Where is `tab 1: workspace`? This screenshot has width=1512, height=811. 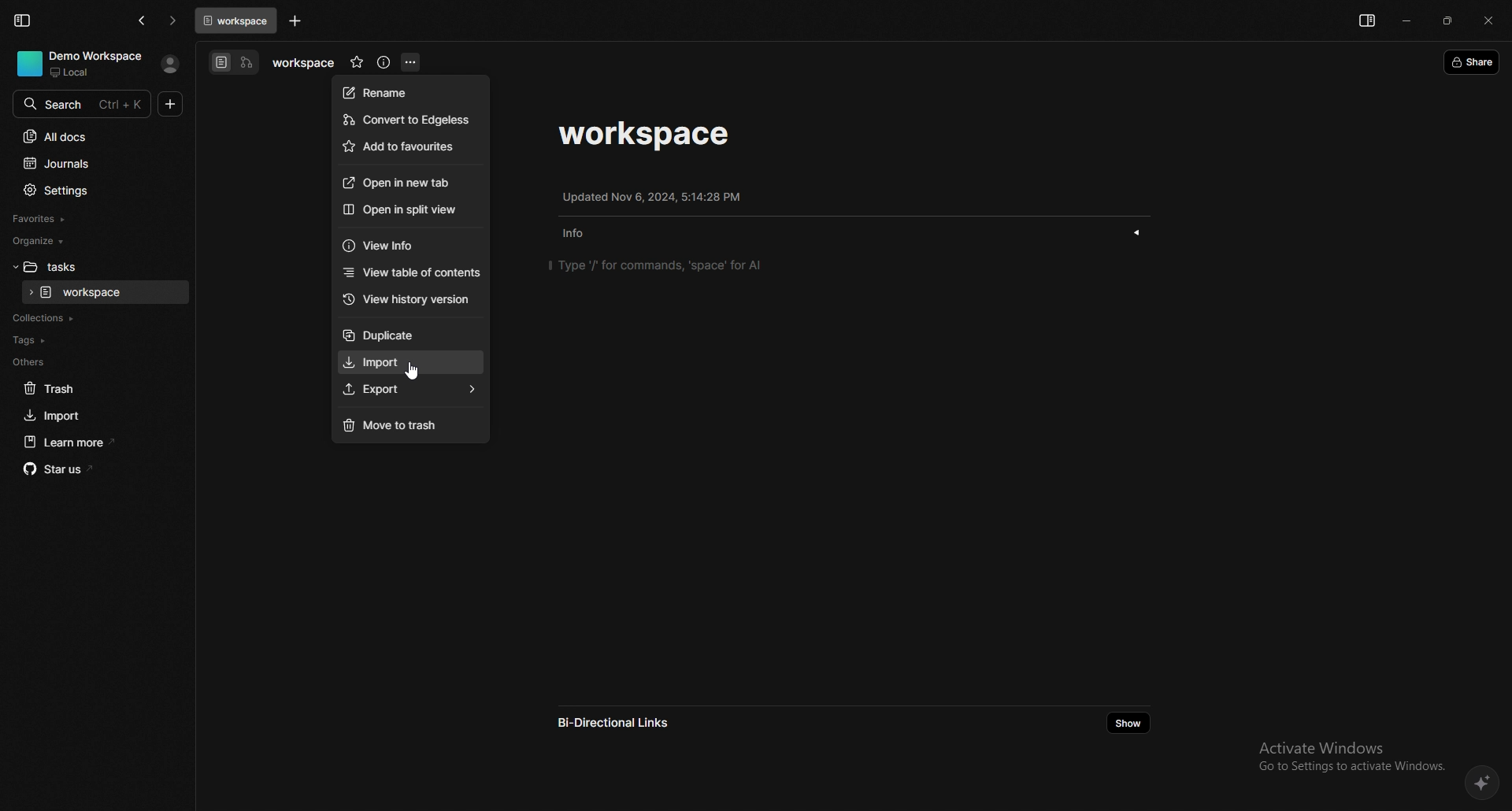 tab 1: workspace is located at coordinates (235, 20).